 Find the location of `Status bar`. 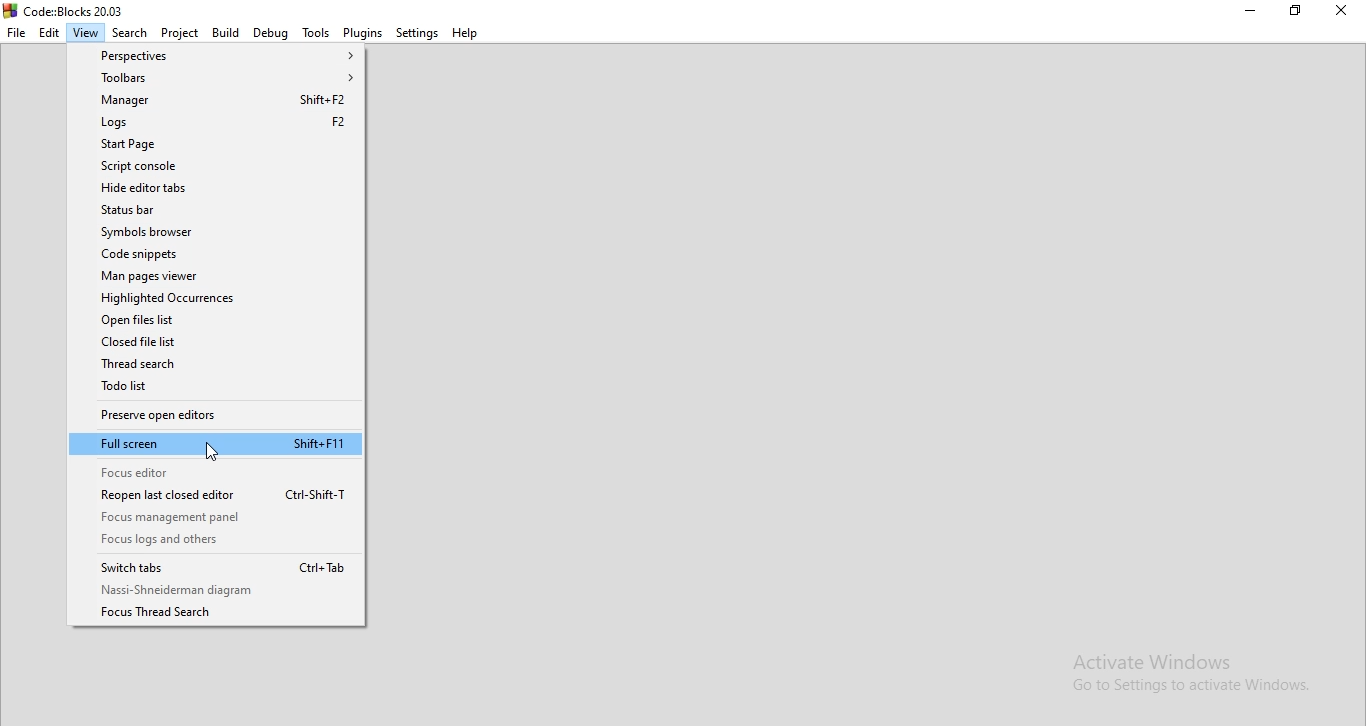

Status bar is located at coordinates (213, 210).